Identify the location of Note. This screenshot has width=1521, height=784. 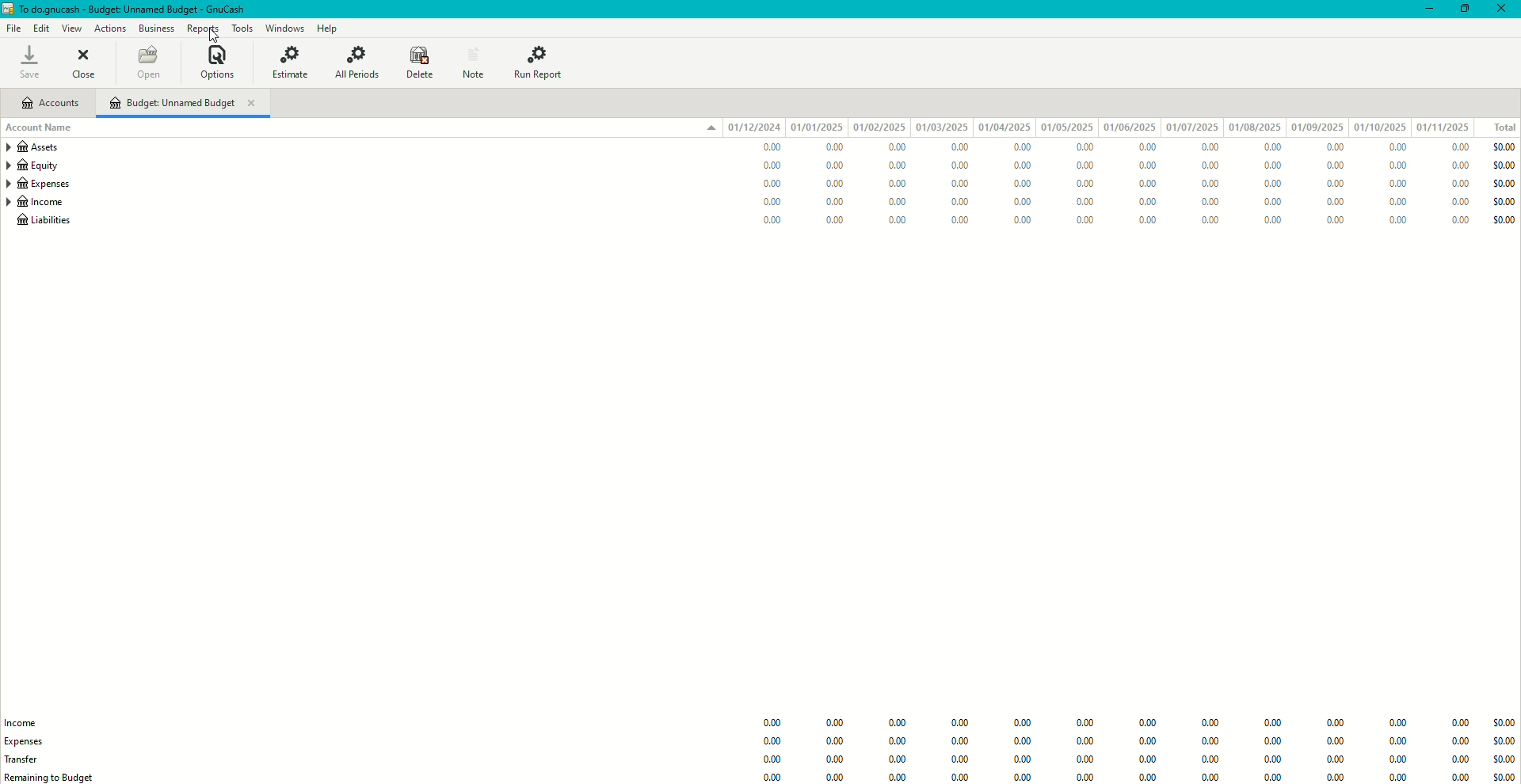
(471, 61).